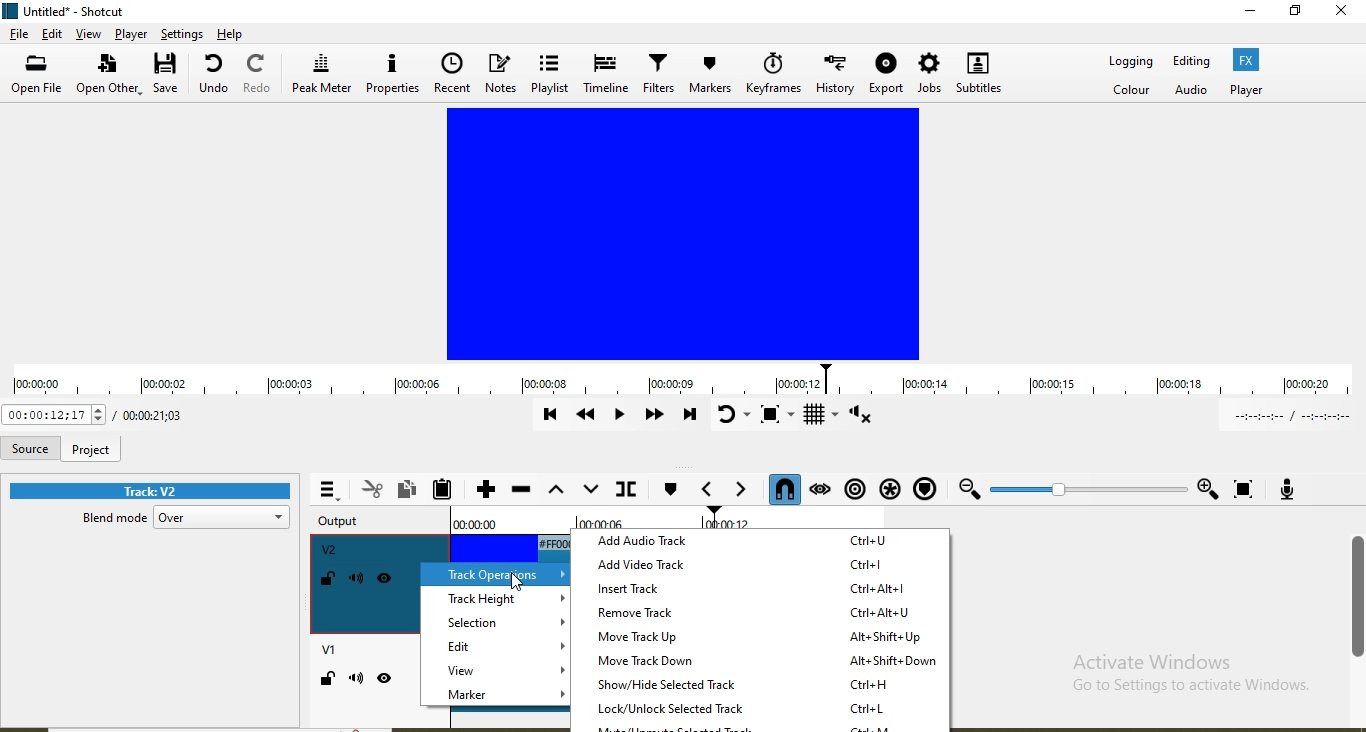 This screenshot has width=1366, height=732. What do you see at coordinates (387, 581) in the screenshot?
I see `Hide` at bounding box center [387, 581].